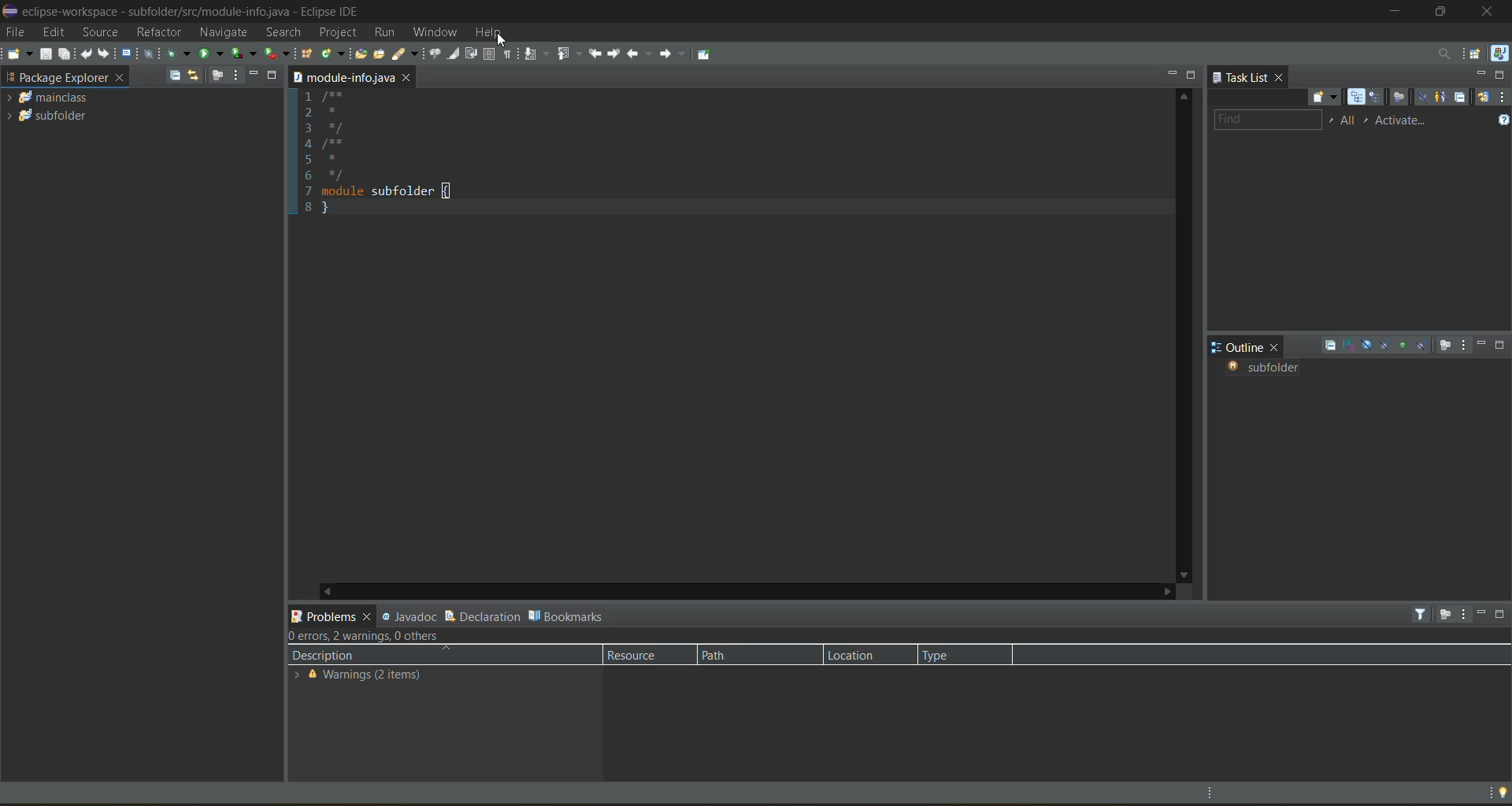 The height and width of the screenshot is (806, 1512). What do you see at coordinates (66, 54) in the screenshot?
I see `save all` at bounding box center [66, 54].